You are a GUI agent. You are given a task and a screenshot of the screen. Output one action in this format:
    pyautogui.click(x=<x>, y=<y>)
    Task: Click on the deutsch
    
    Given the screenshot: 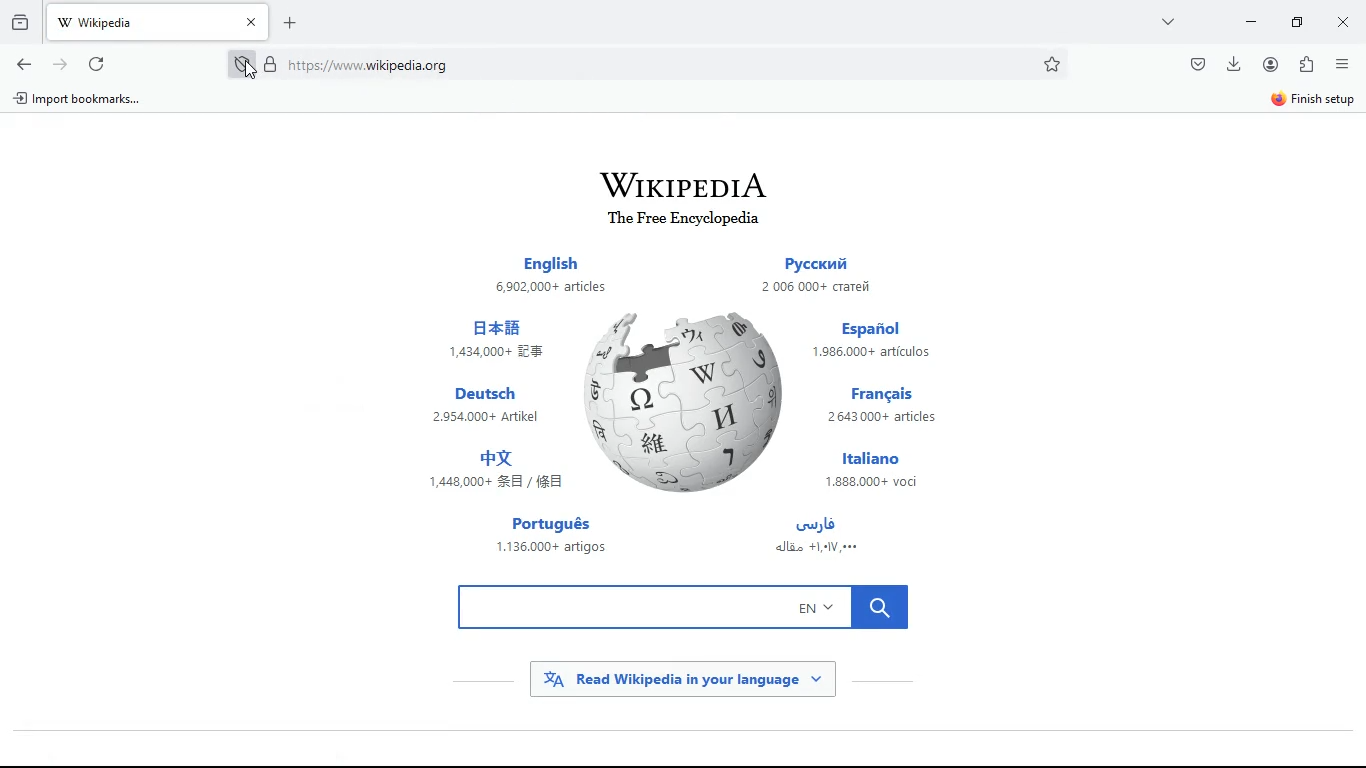 What is the action you would take?
    pyautogui.click(x=487, y=407)
    